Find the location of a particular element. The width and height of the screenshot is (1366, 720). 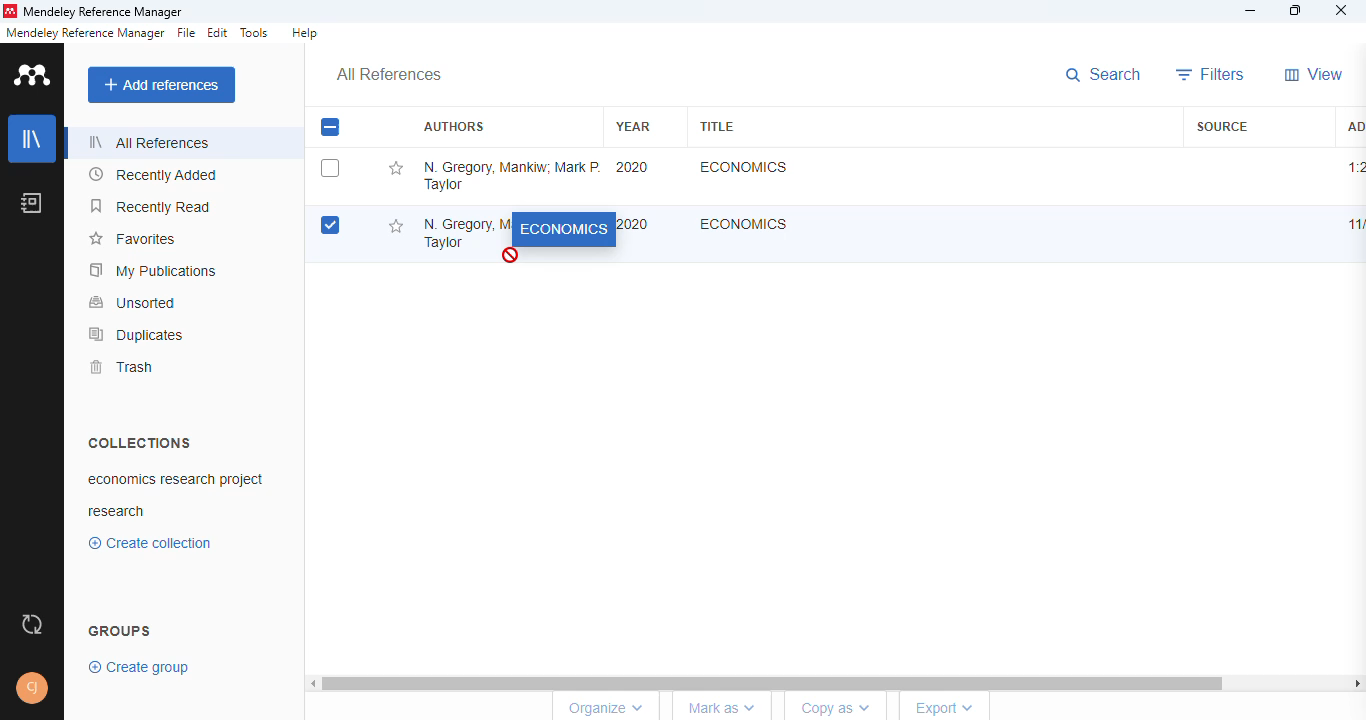

select is located at coordinates (330, 128).